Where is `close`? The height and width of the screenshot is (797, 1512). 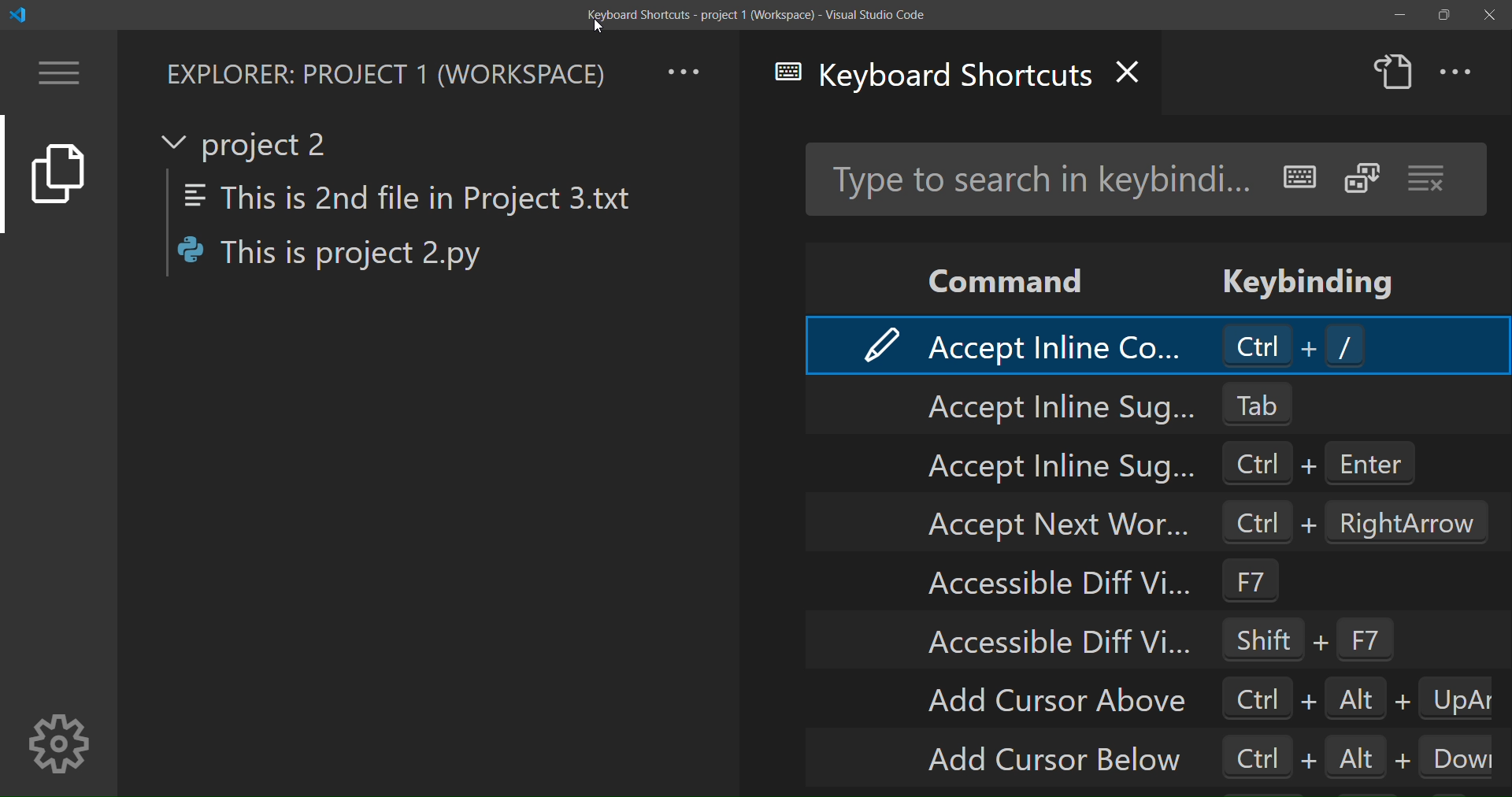 close is located at coordinates (1485, 13).